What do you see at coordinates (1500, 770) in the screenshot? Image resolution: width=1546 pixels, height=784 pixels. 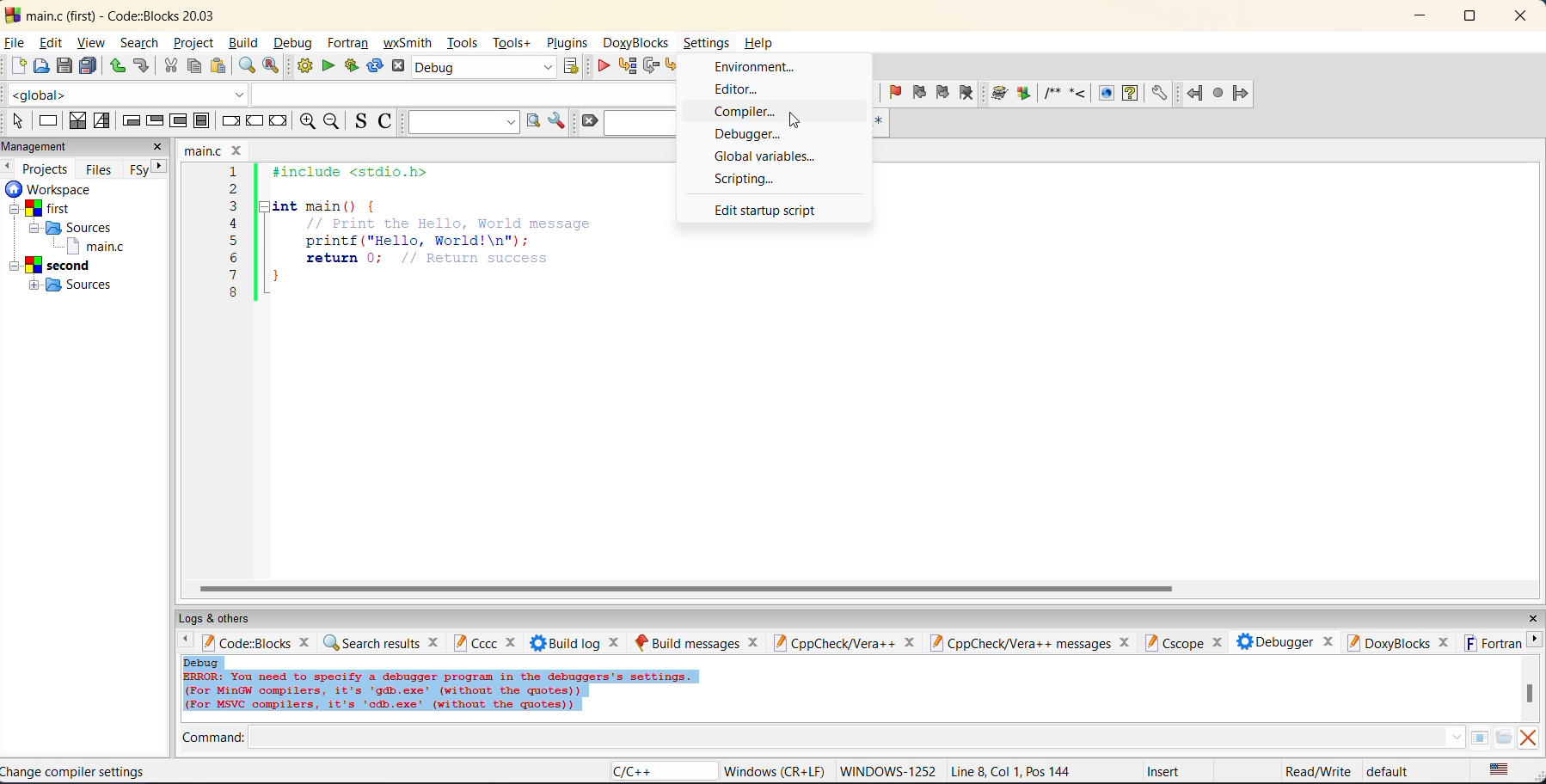 I see `text language` at bounding box center [1500, 770].